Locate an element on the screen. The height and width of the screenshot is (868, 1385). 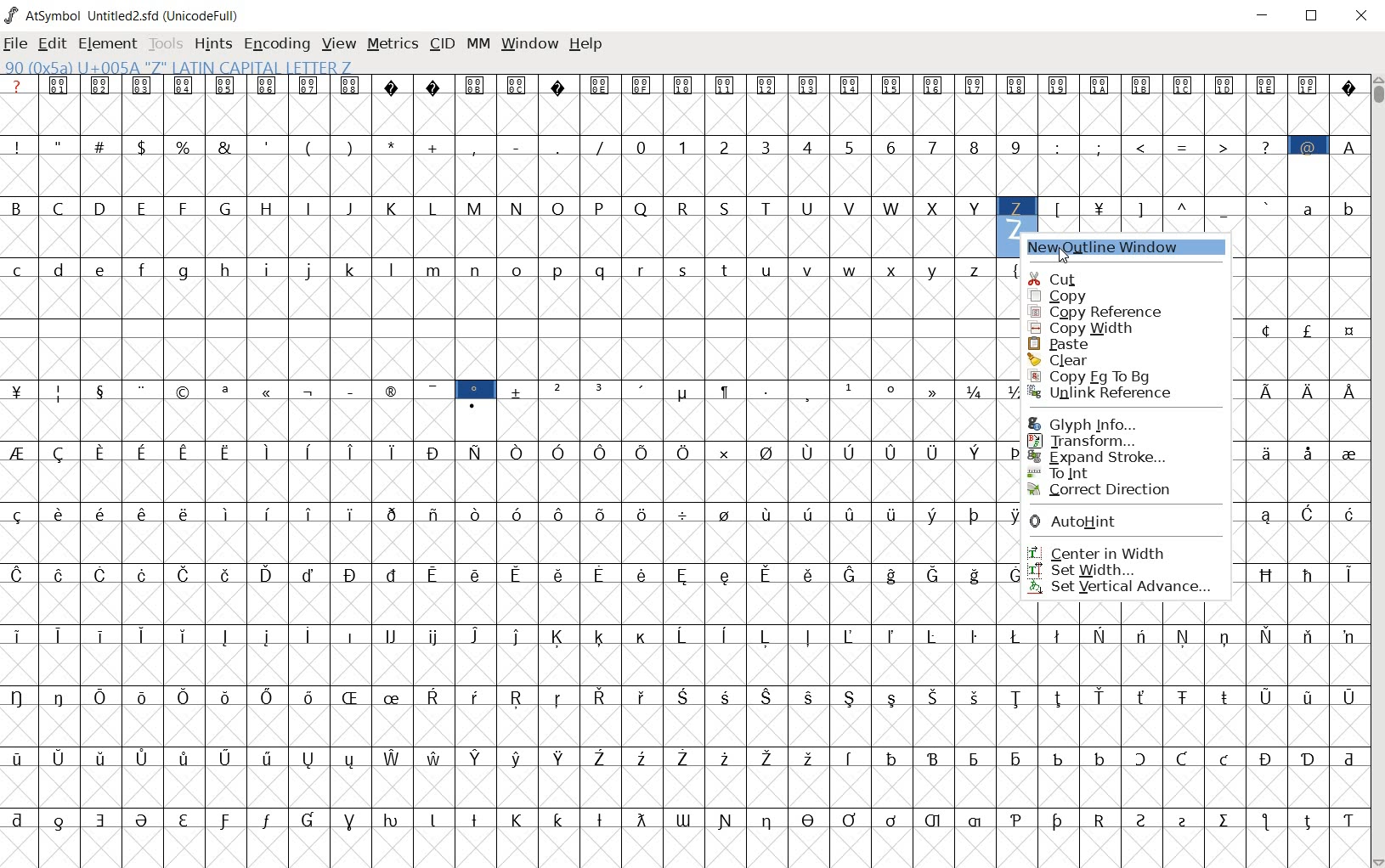
minimize is located at coordinates (1266, 18).